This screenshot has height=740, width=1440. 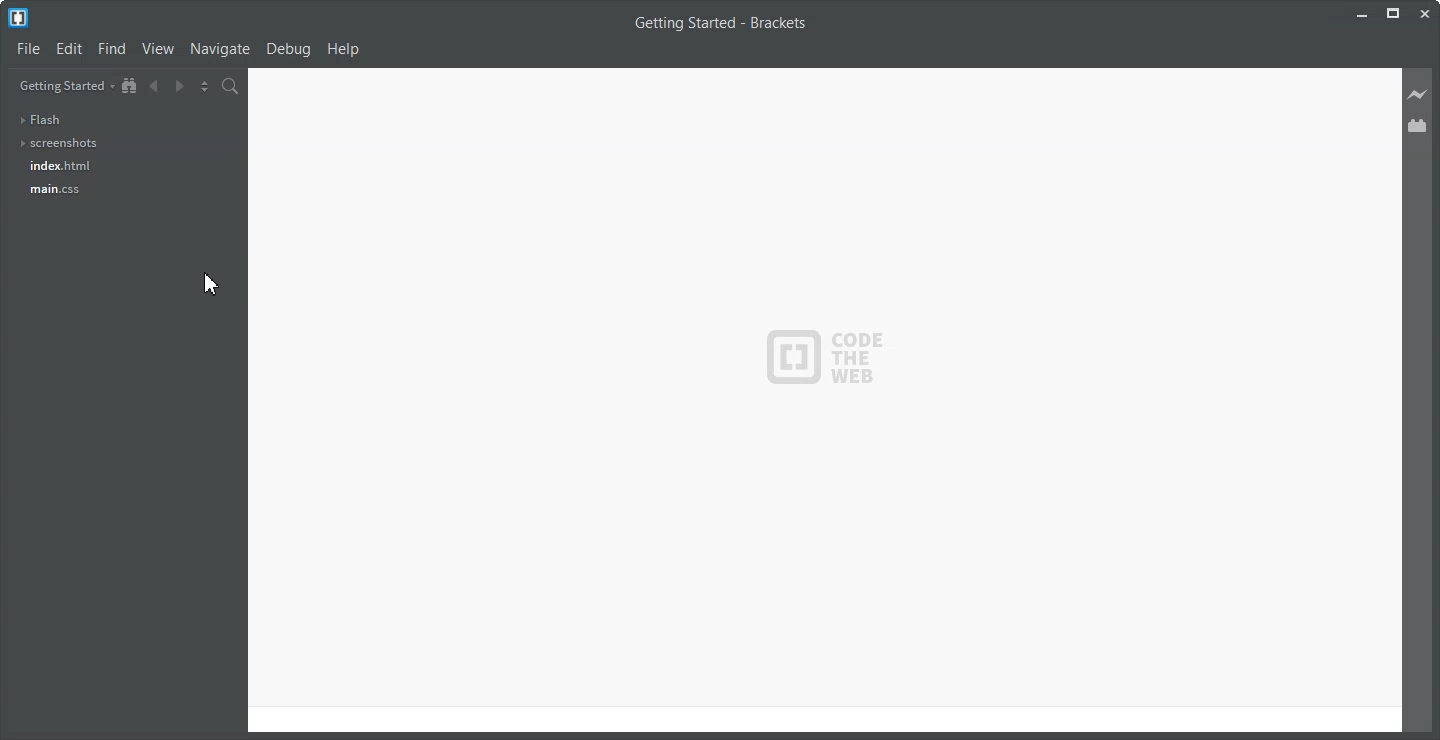 I want to click on Getting Started - Brackets, so click(x=720, y=24).